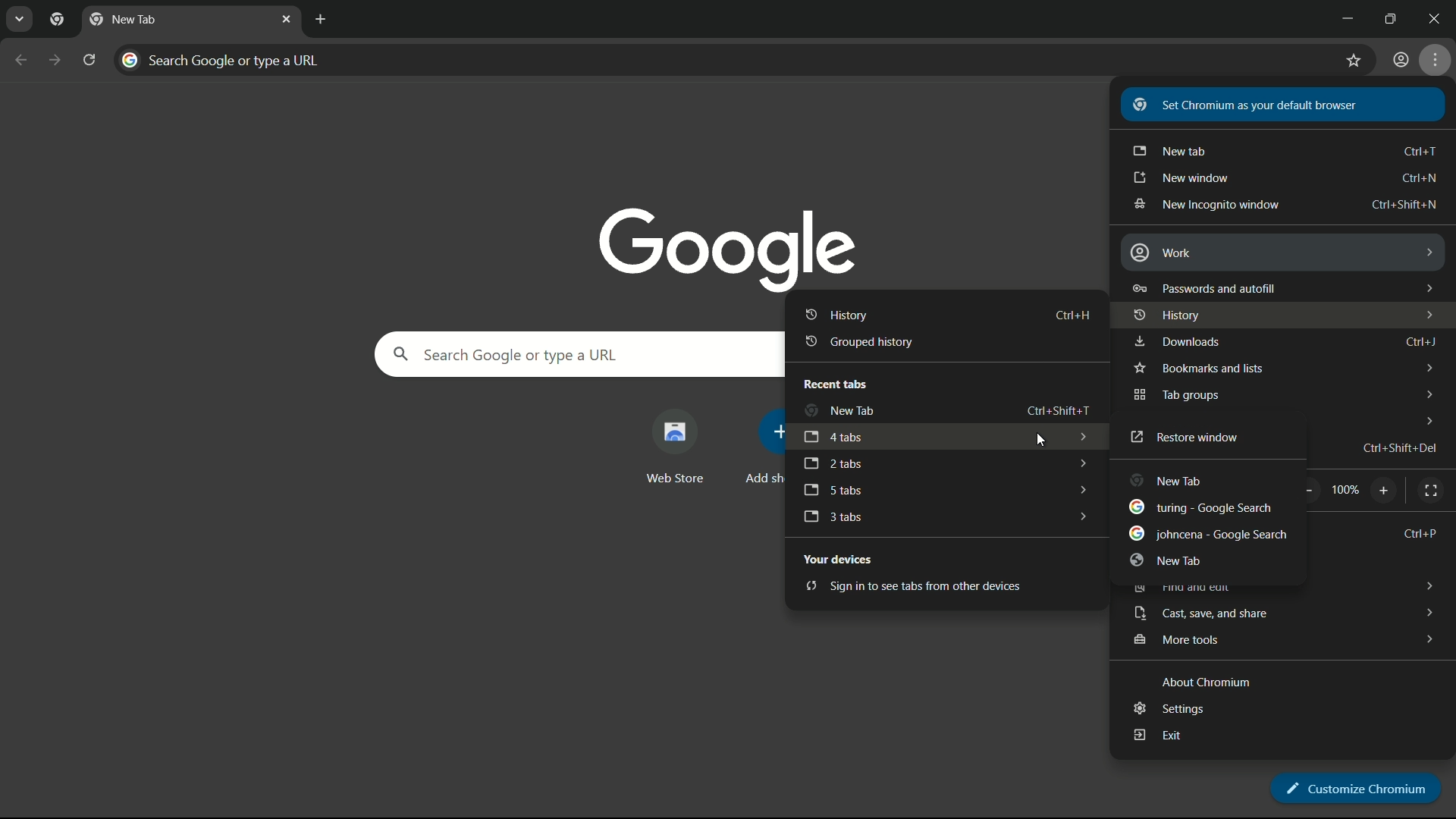 The image size is (1456, 819). What do you see at coordinates (1352, 783) in the screenshot?
I see `customize chromium` at bounding box center [1352, 783].